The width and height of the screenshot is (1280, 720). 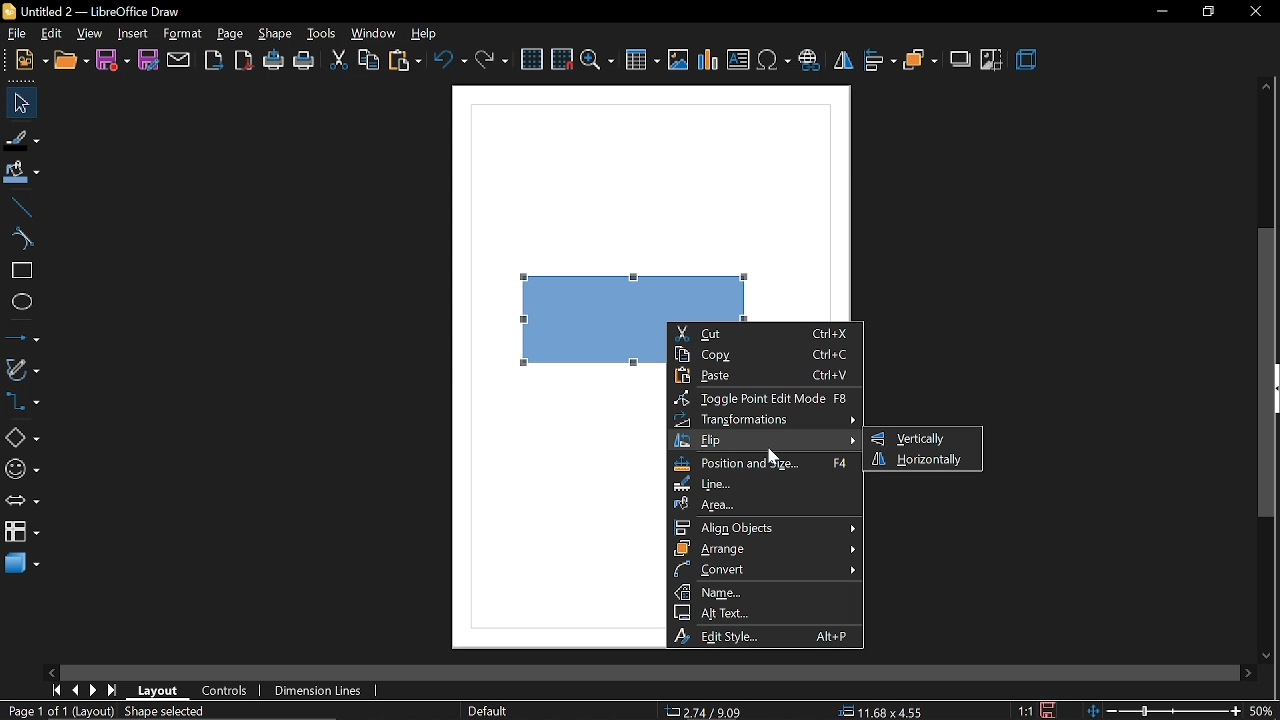 I want to click on paste, so click(x=770, y=375).